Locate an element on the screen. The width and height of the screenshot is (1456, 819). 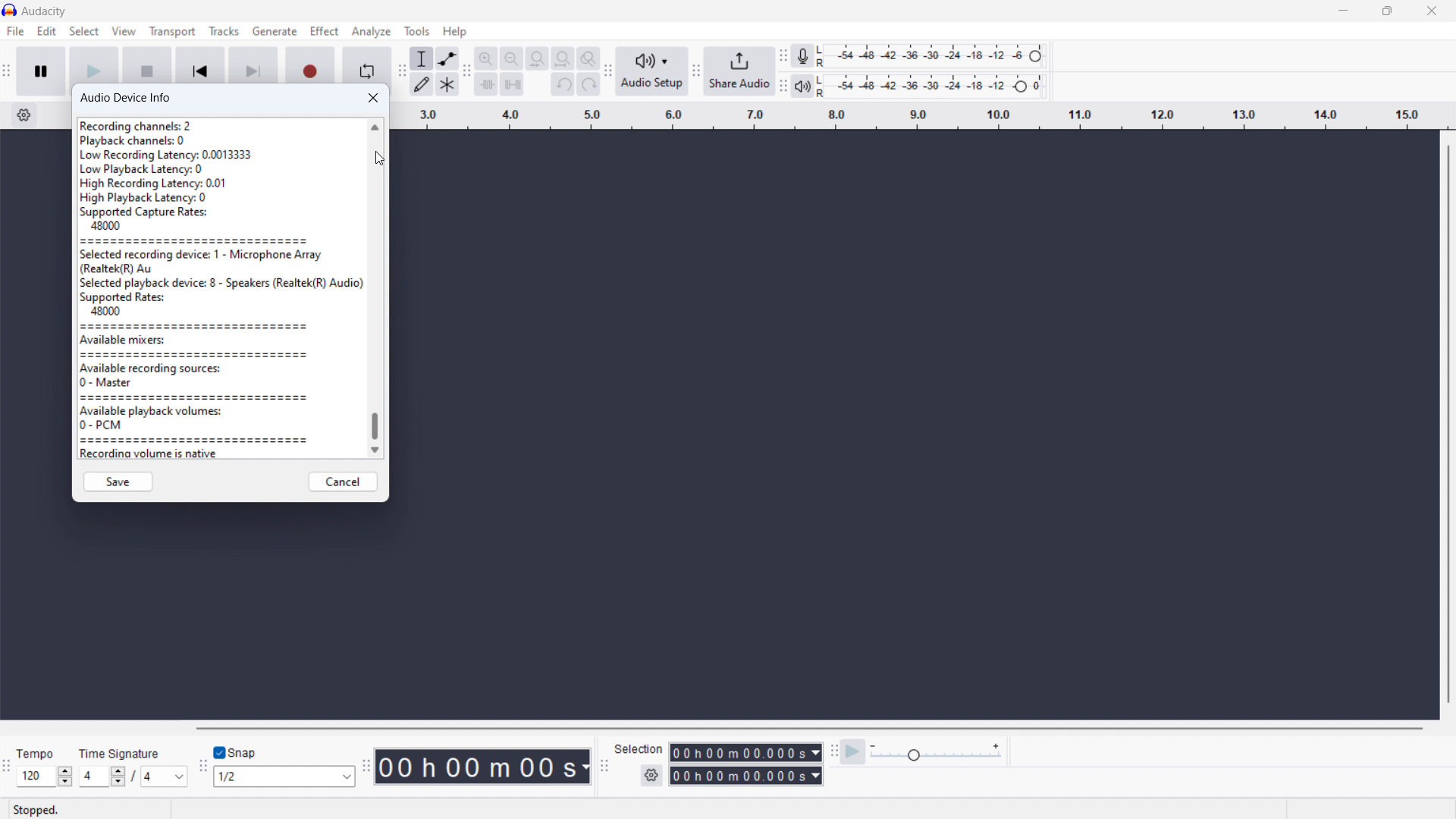
playback speed is located at coordinates (937, 753).